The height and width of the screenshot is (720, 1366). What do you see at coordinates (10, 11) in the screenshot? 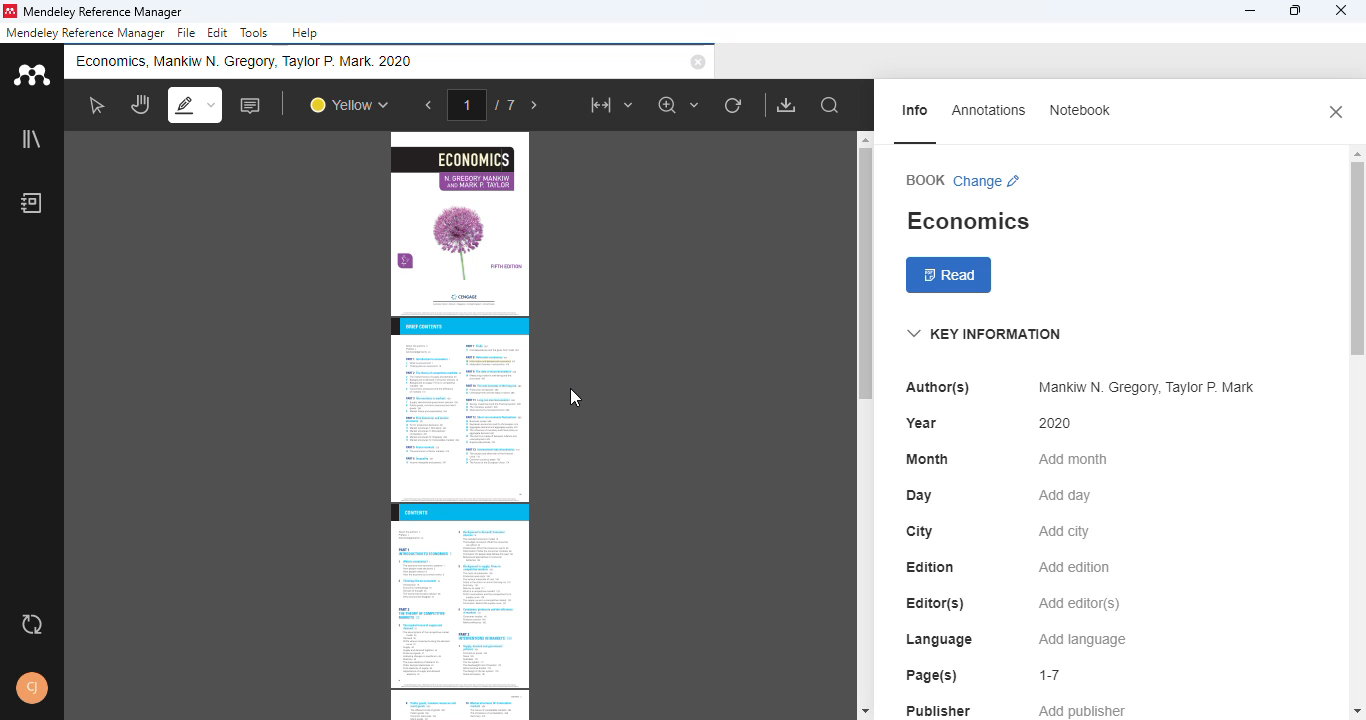
I see `logo` at bounding box center [10, 11].